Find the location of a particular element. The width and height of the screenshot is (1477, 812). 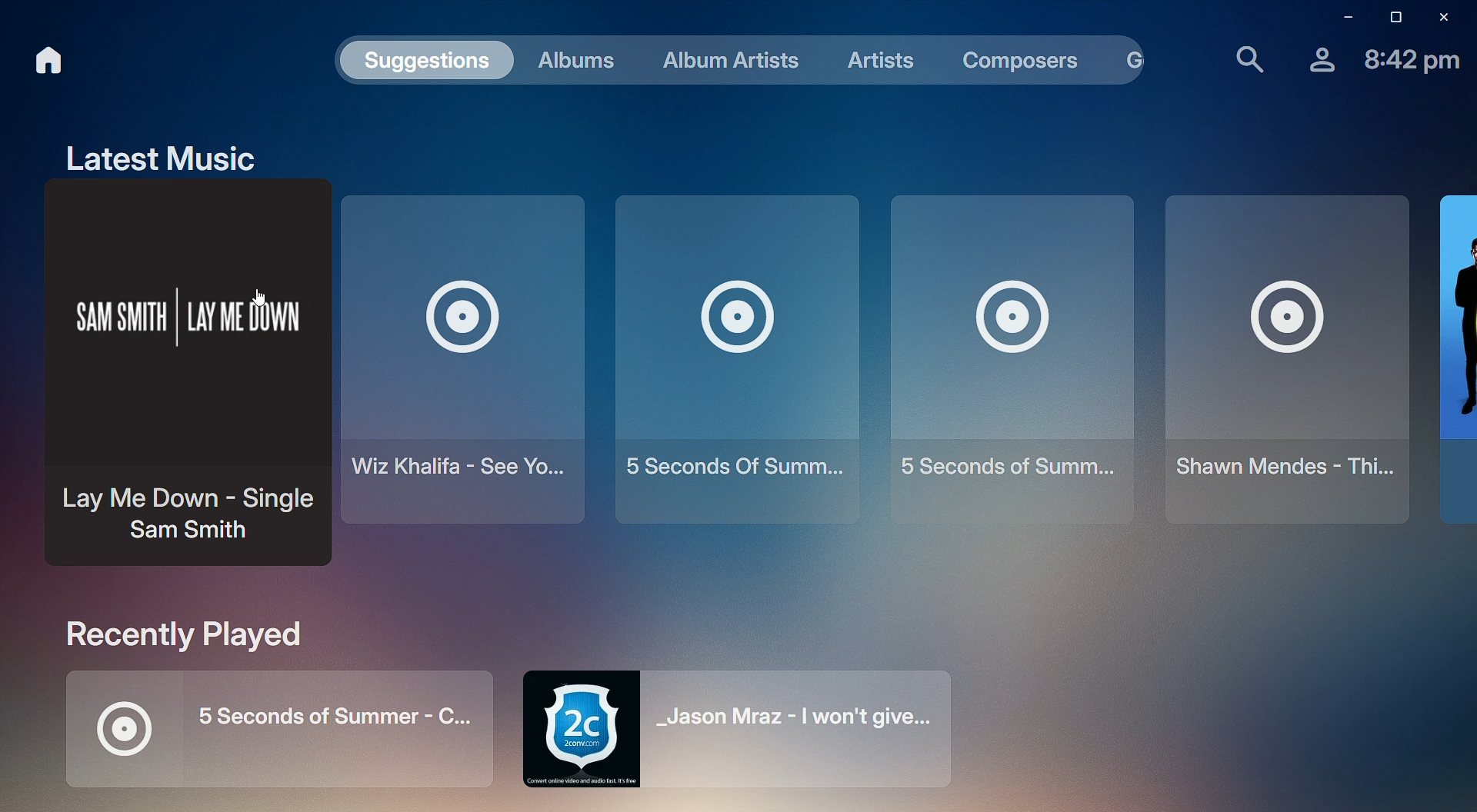

Album Artists is located at coordinates (727, 58).